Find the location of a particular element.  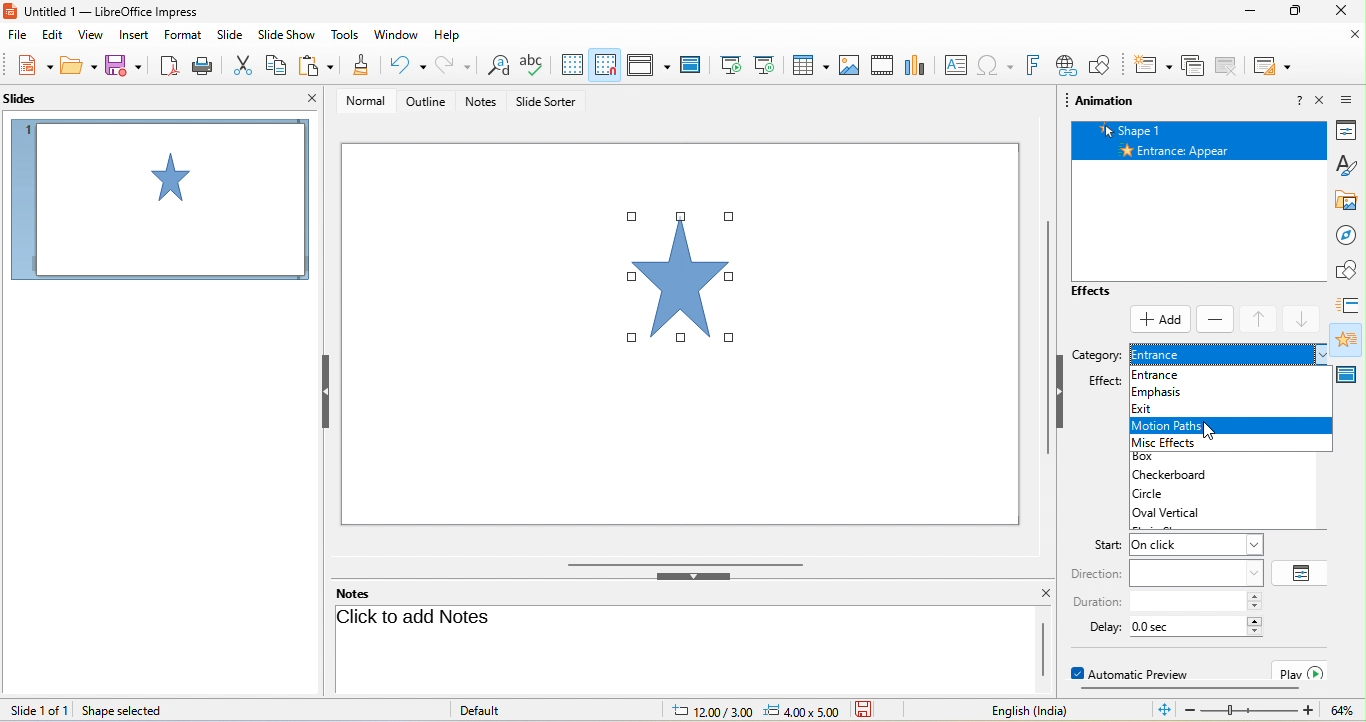

print is located at coordinates (207, 65).